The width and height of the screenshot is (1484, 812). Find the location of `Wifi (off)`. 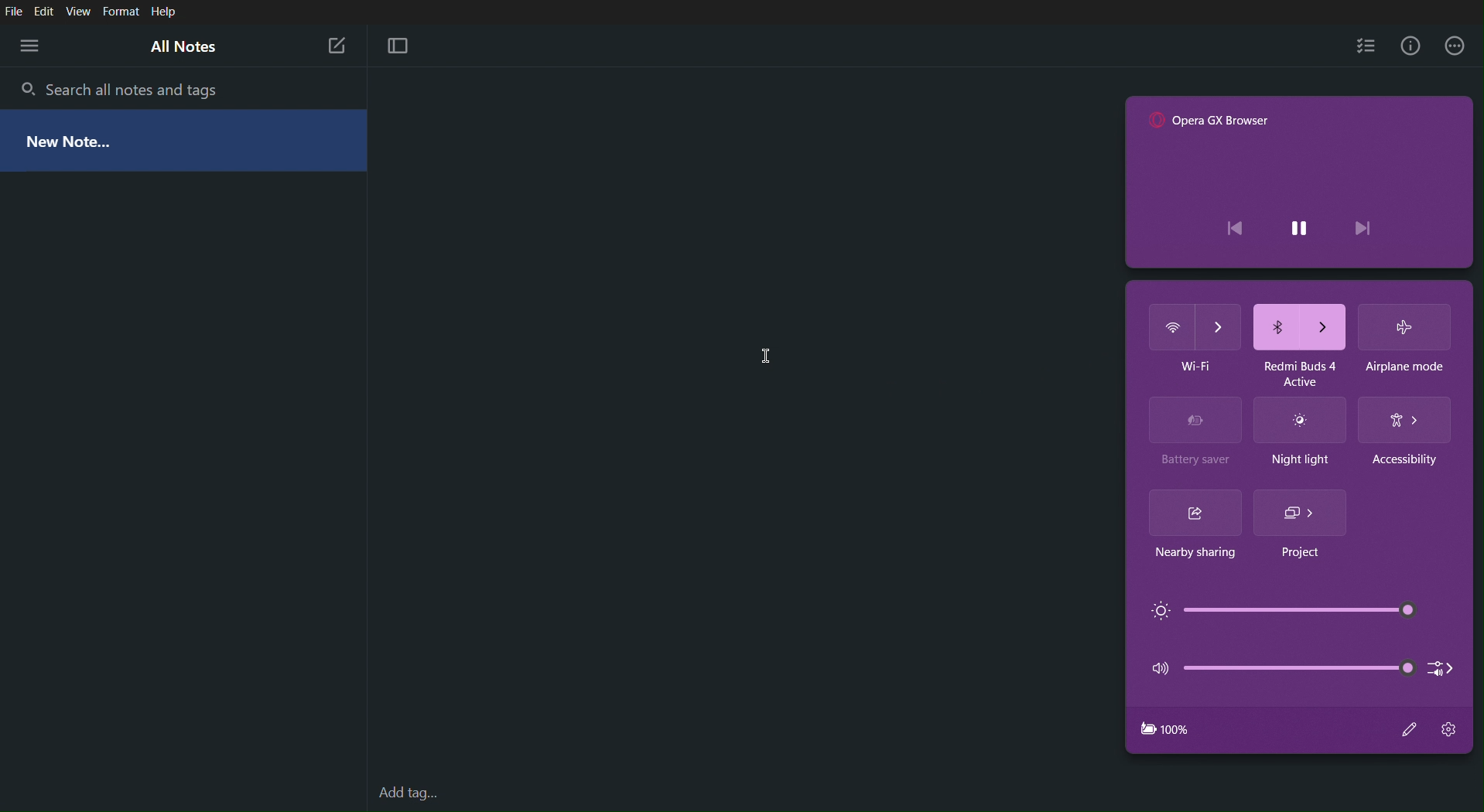

Wifi (off) is located at coordinates (1191, 324).